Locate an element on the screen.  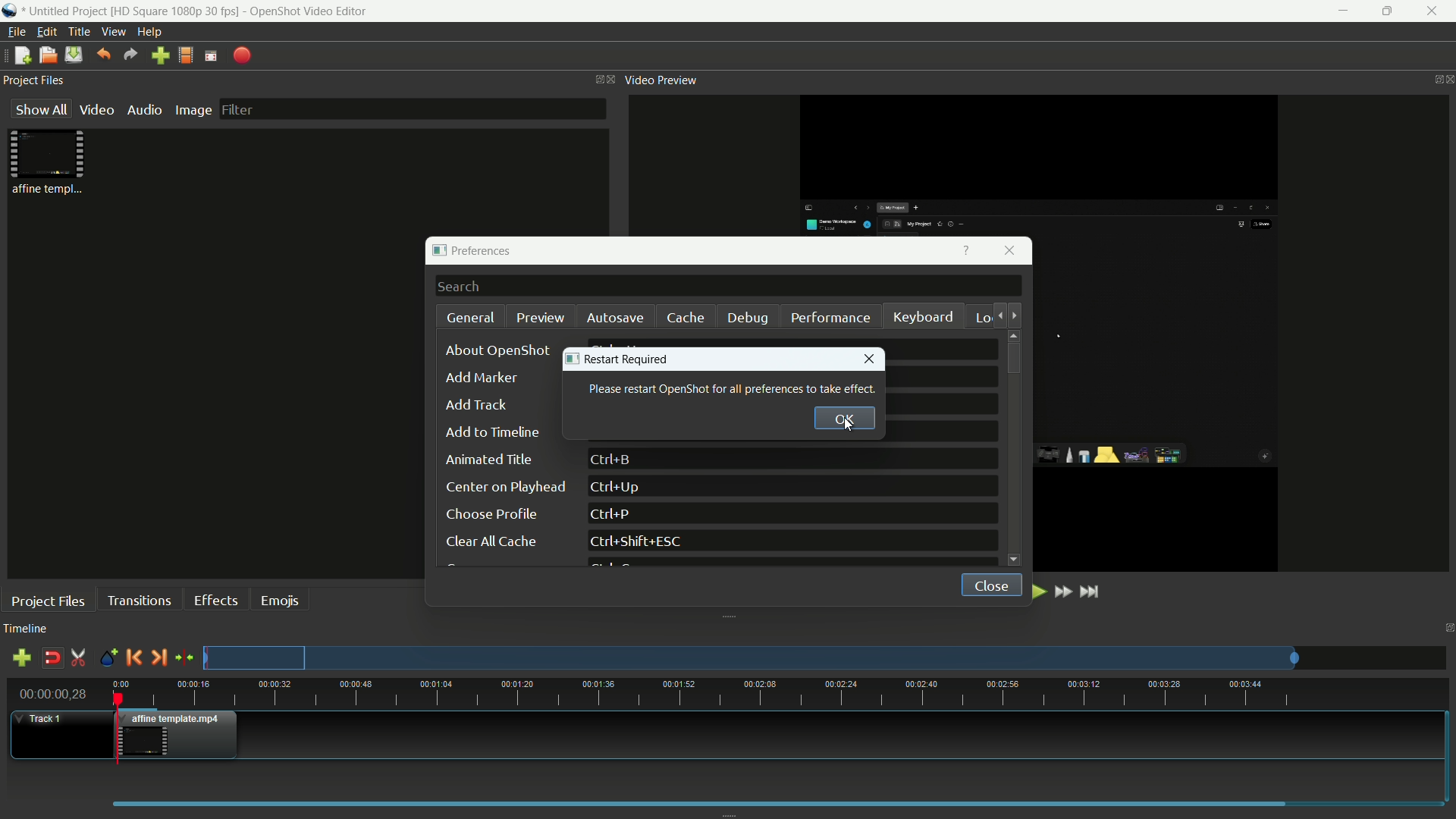
next marker is located at coordinates (158, 657).